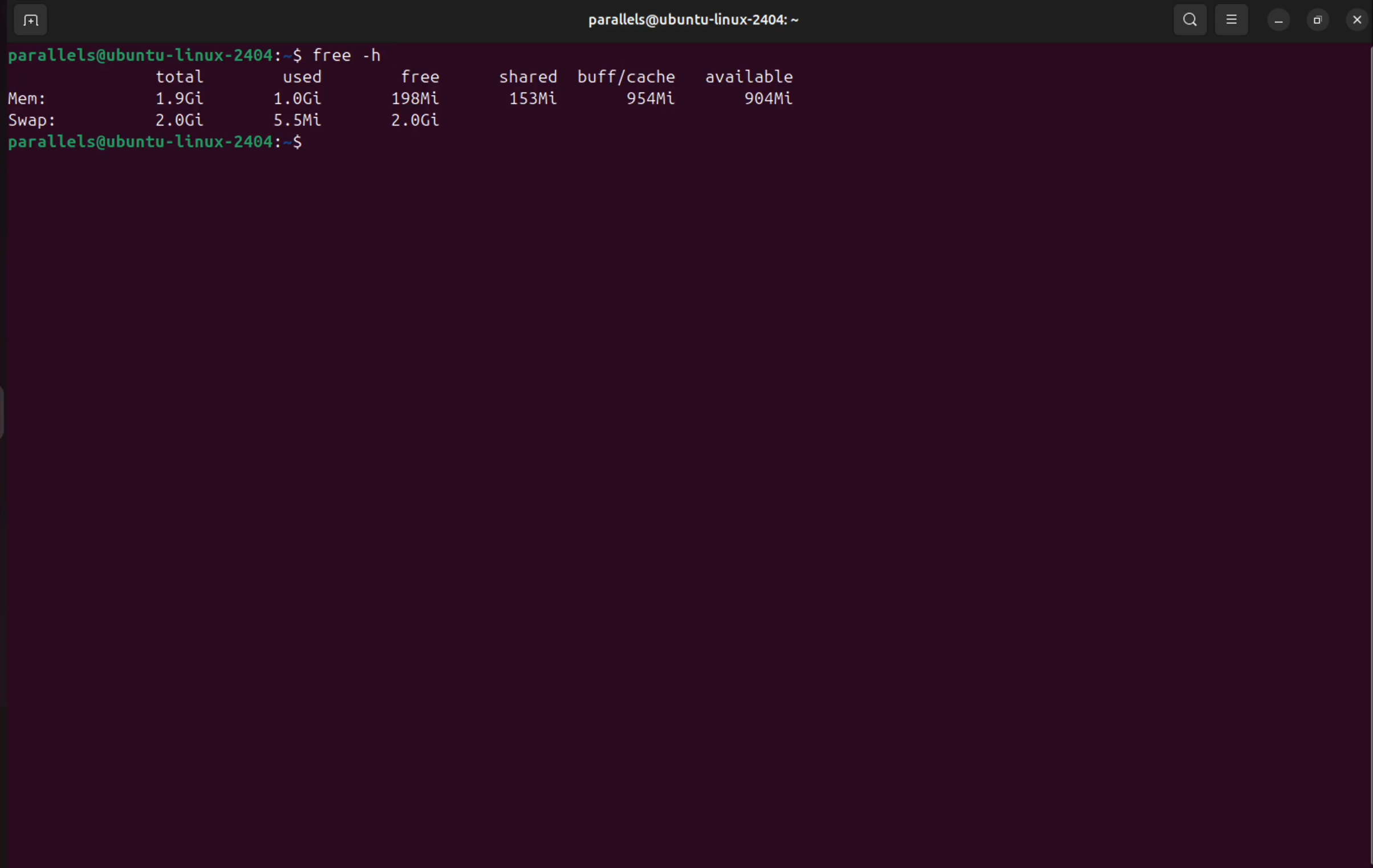 Image resolution: width=1373 pixels, height=868 pixels. Describe the element at coordinates (1233, 20) in the screenshot. I see `view option` at that location.